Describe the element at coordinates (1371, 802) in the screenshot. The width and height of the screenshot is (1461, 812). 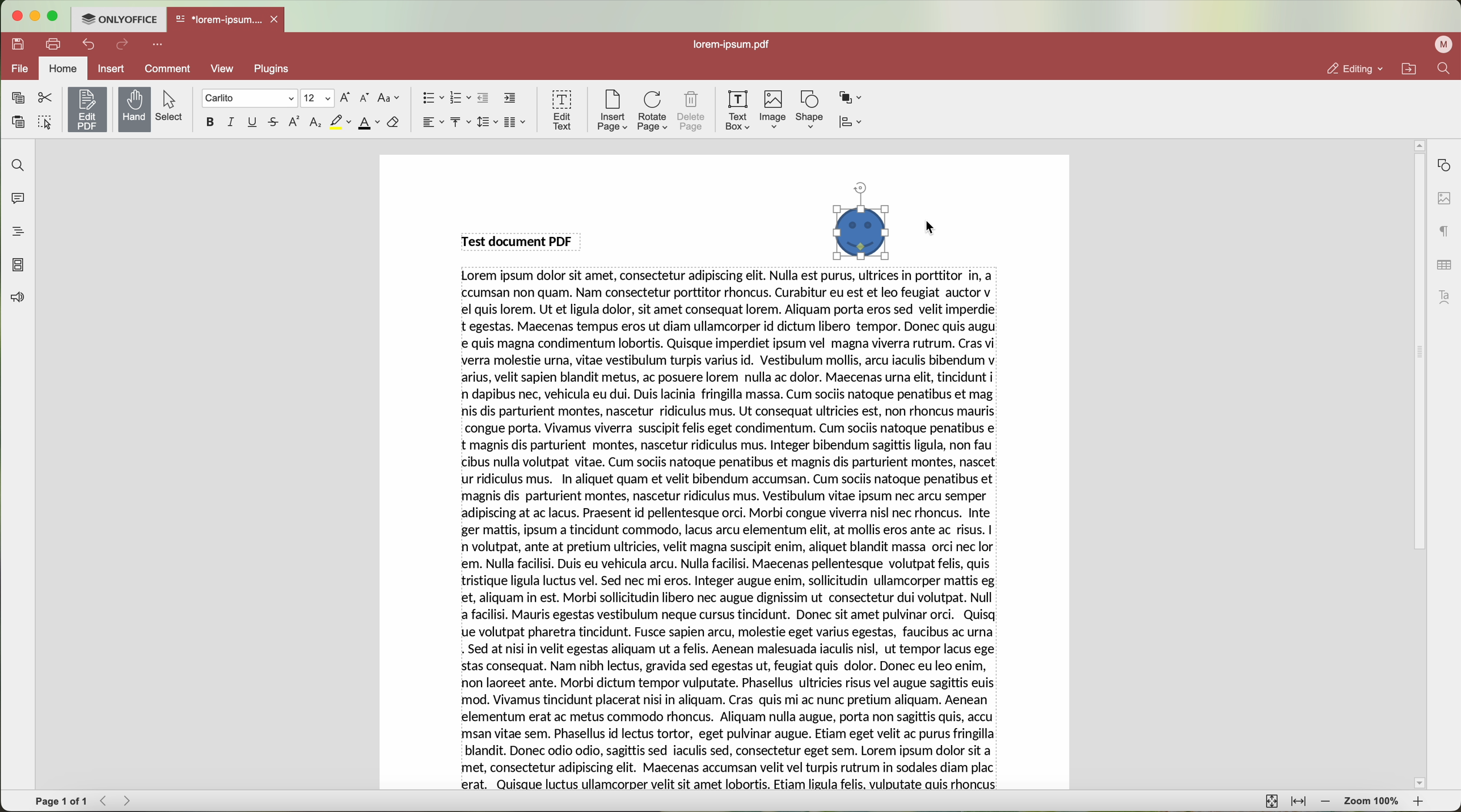
I see `zoom 100%` at that location.